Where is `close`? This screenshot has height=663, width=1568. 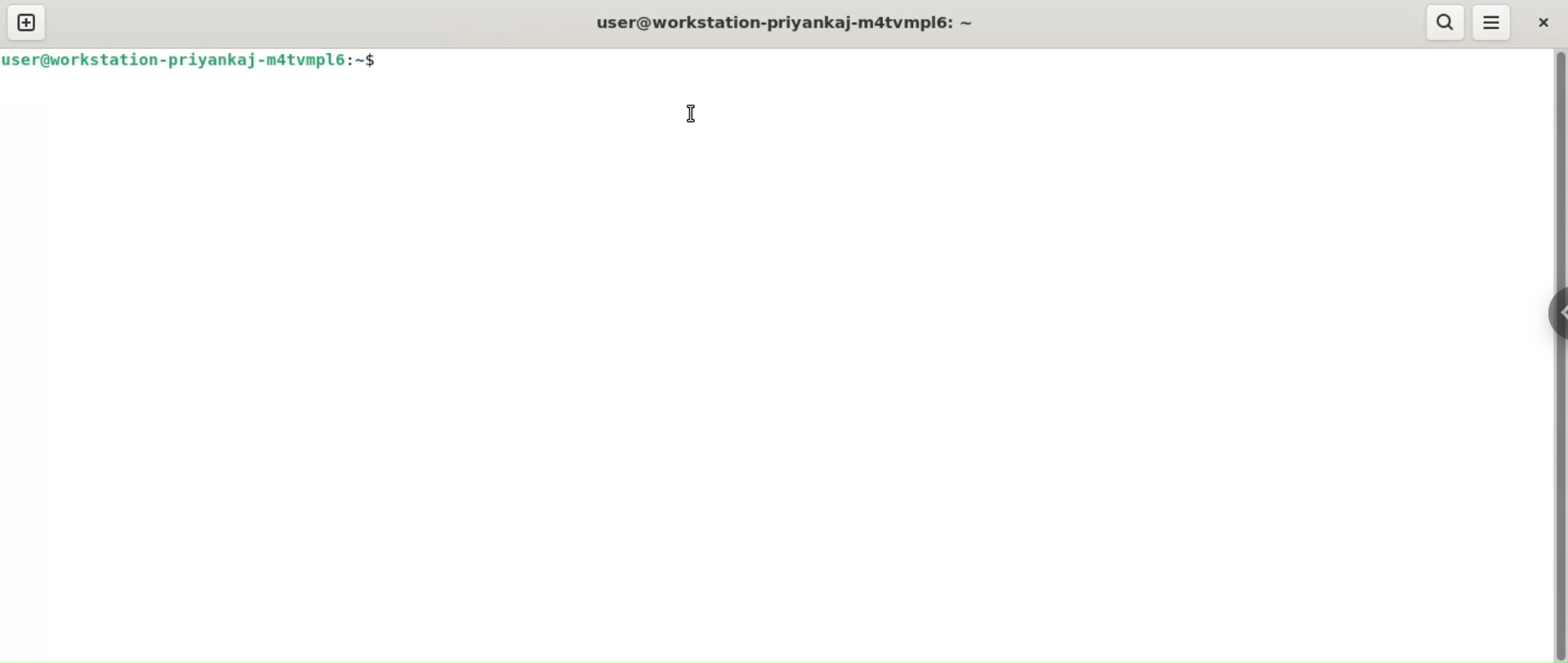 close is located at coordinates (1541, 21).